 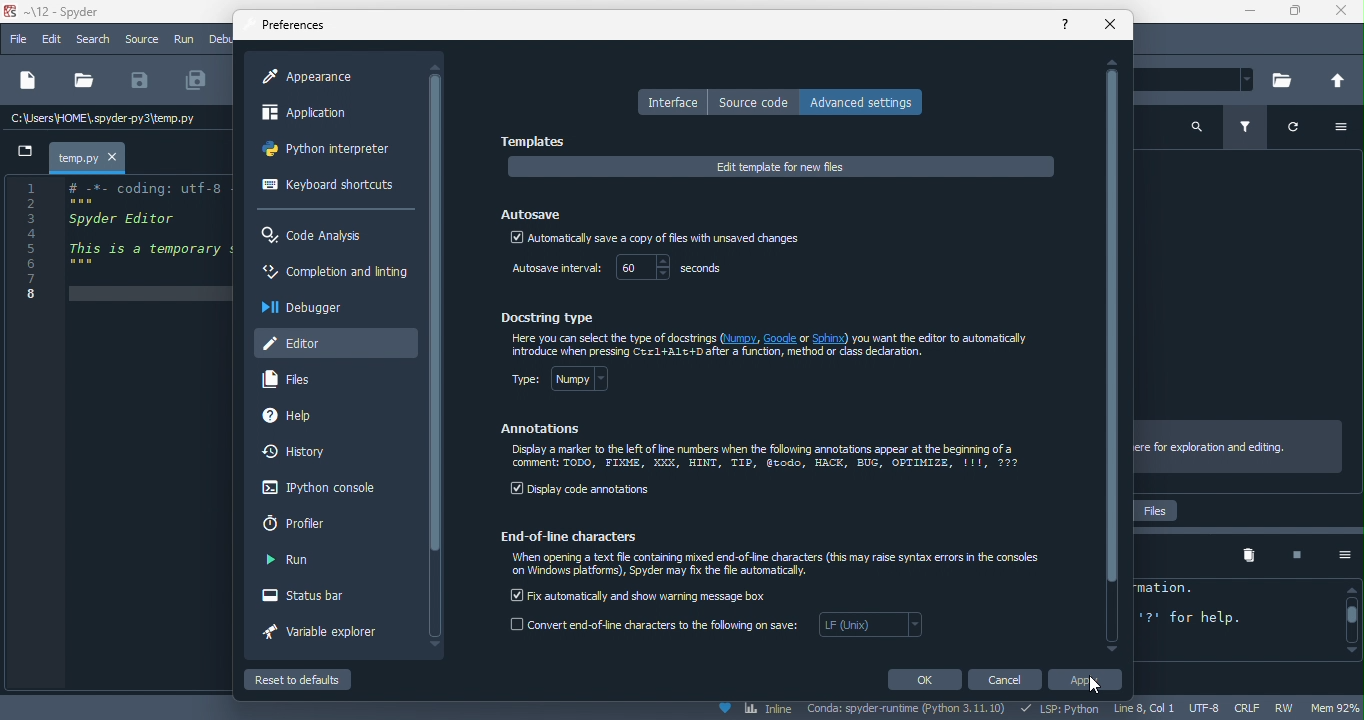 I want to click on search, so click(x=96, y=40).